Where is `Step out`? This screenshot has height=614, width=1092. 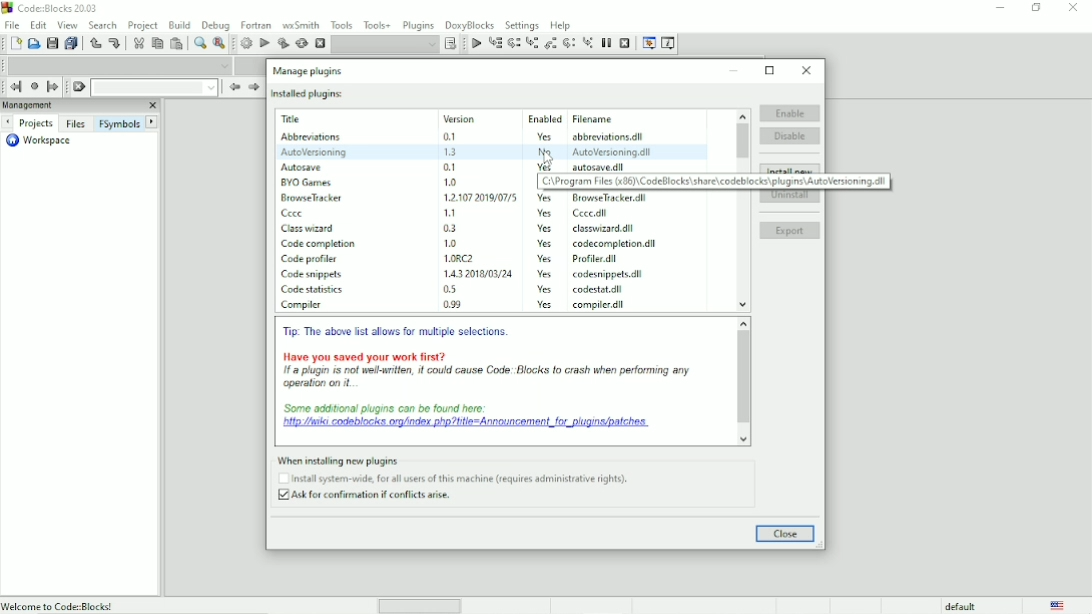 Step out is located at coordinates (549, 44).